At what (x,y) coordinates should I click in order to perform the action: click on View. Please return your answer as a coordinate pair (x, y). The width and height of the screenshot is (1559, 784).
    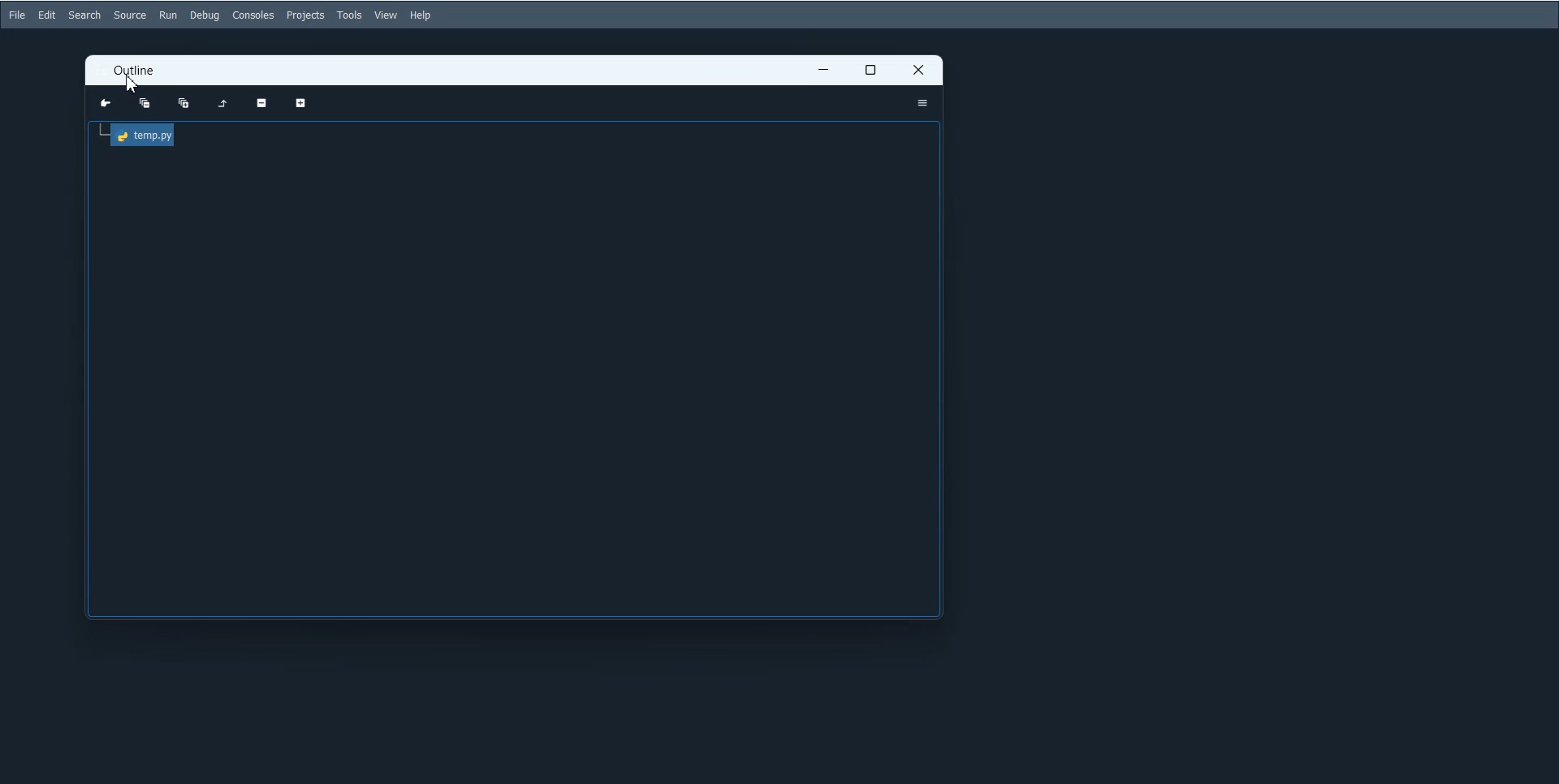
    Looking at the image, I should click on (387, 15).